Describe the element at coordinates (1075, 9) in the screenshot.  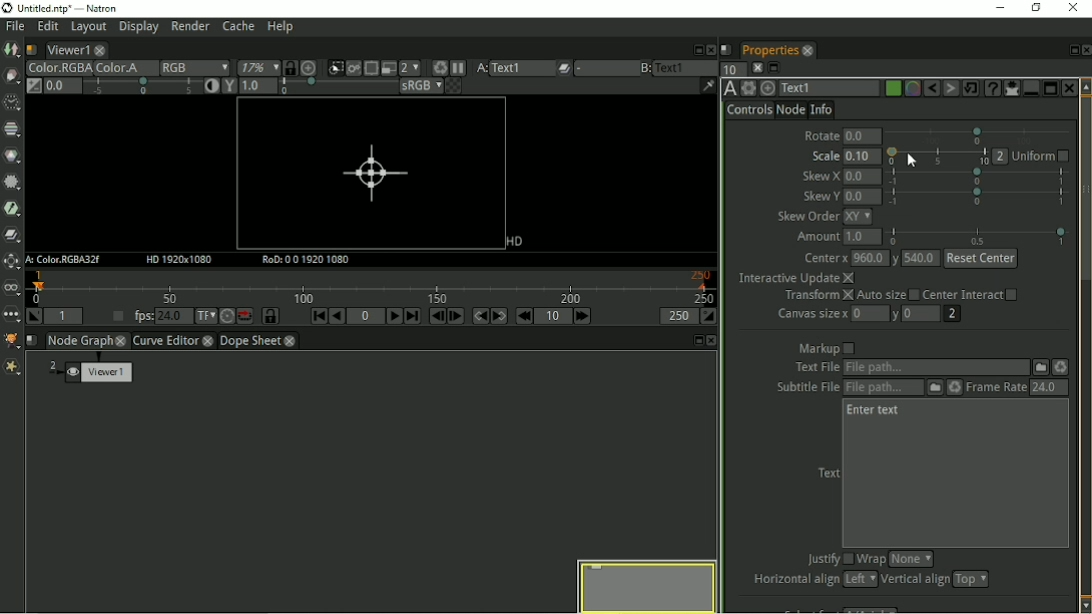
I see `Close` at that location.